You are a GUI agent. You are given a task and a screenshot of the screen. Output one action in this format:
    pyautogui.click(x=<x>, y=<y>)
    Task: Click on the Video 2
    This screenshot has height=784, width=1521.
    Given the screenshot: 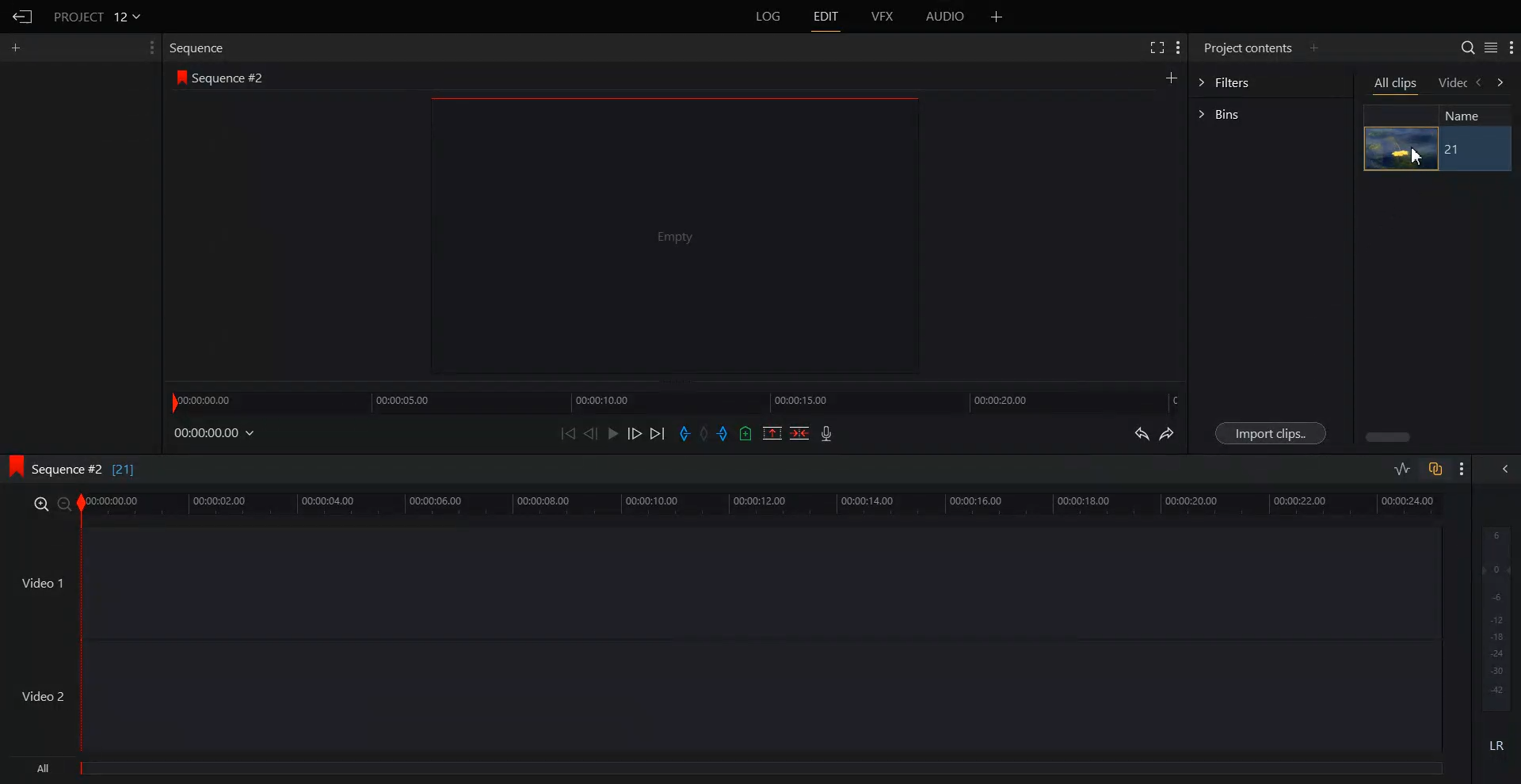 What is the action you would take?
    pyautogui.click(x=760, y=696)
    